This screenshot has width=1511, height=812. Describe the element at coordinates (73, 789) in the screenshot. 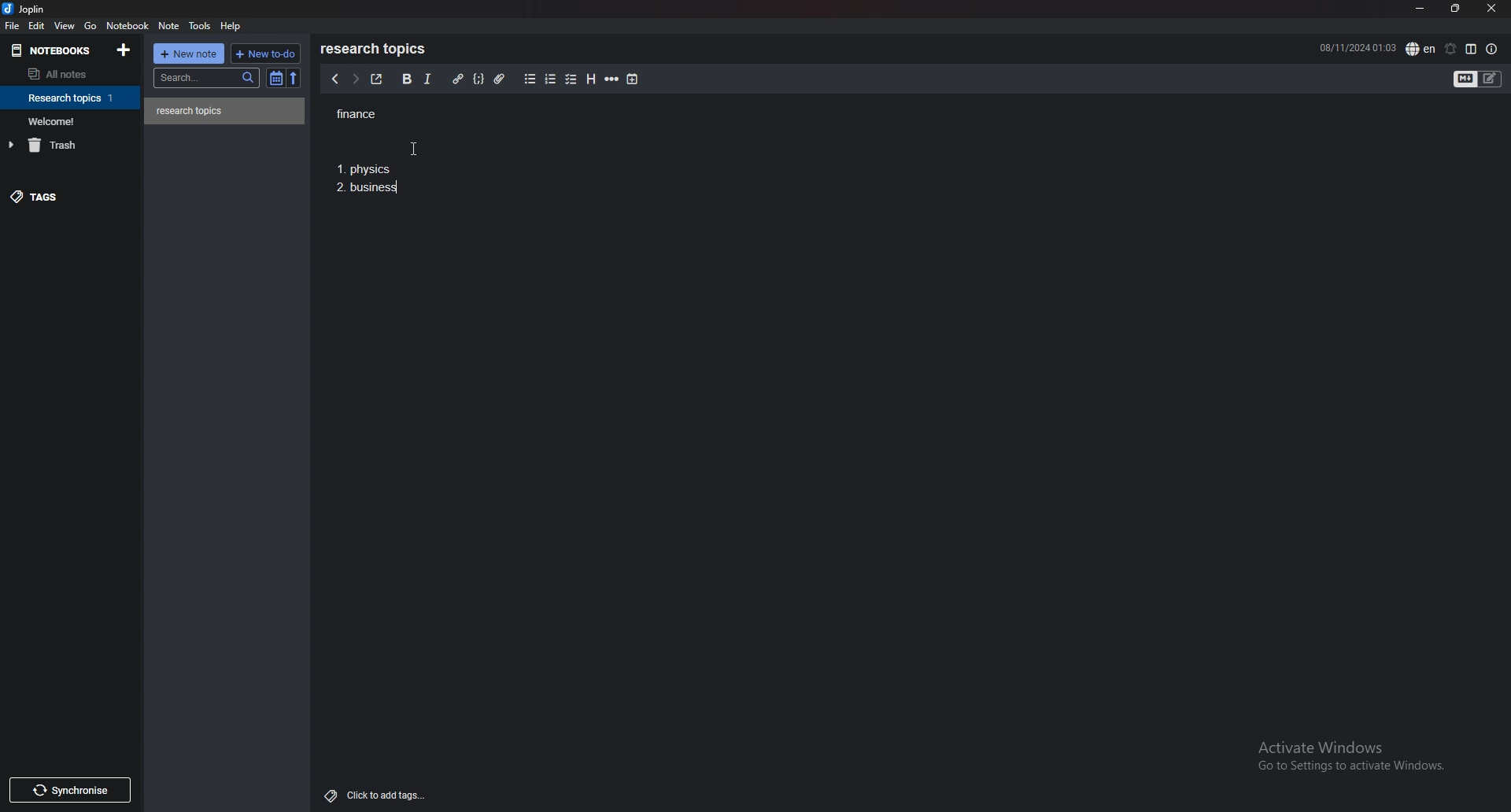

I see `Synchronise` at that location.